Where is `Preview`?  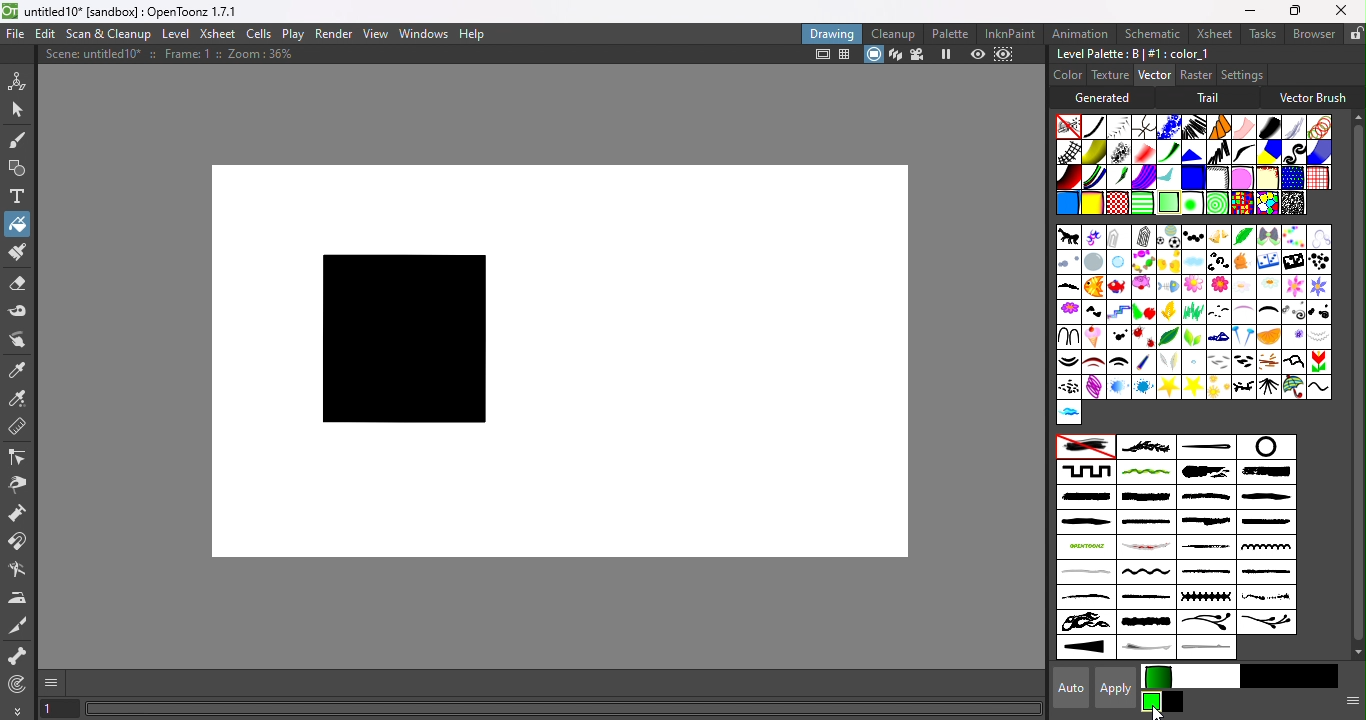 Preview is located at coordinates (978, 54).